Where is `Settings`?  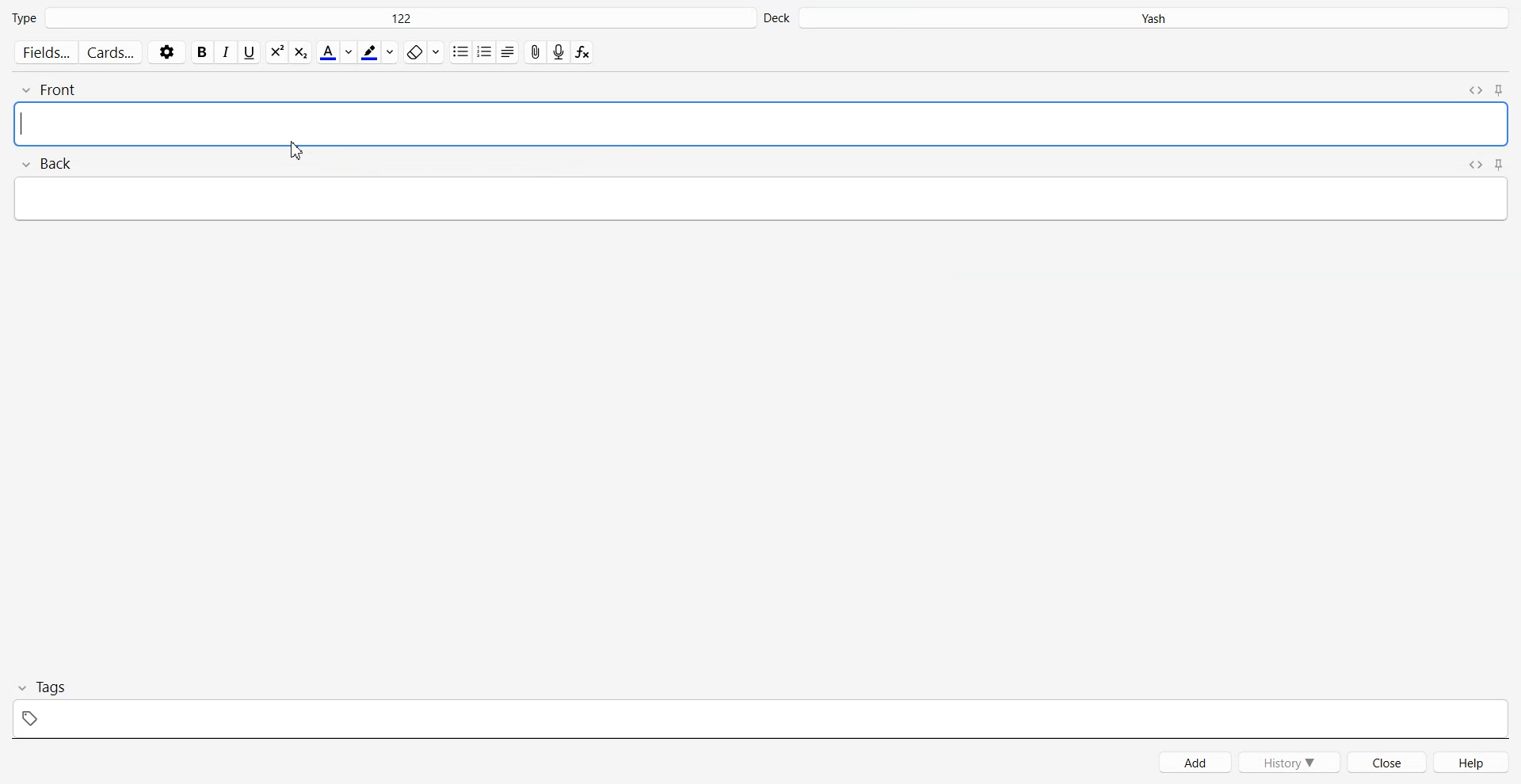 Settings is located at coordinates (167, 51).